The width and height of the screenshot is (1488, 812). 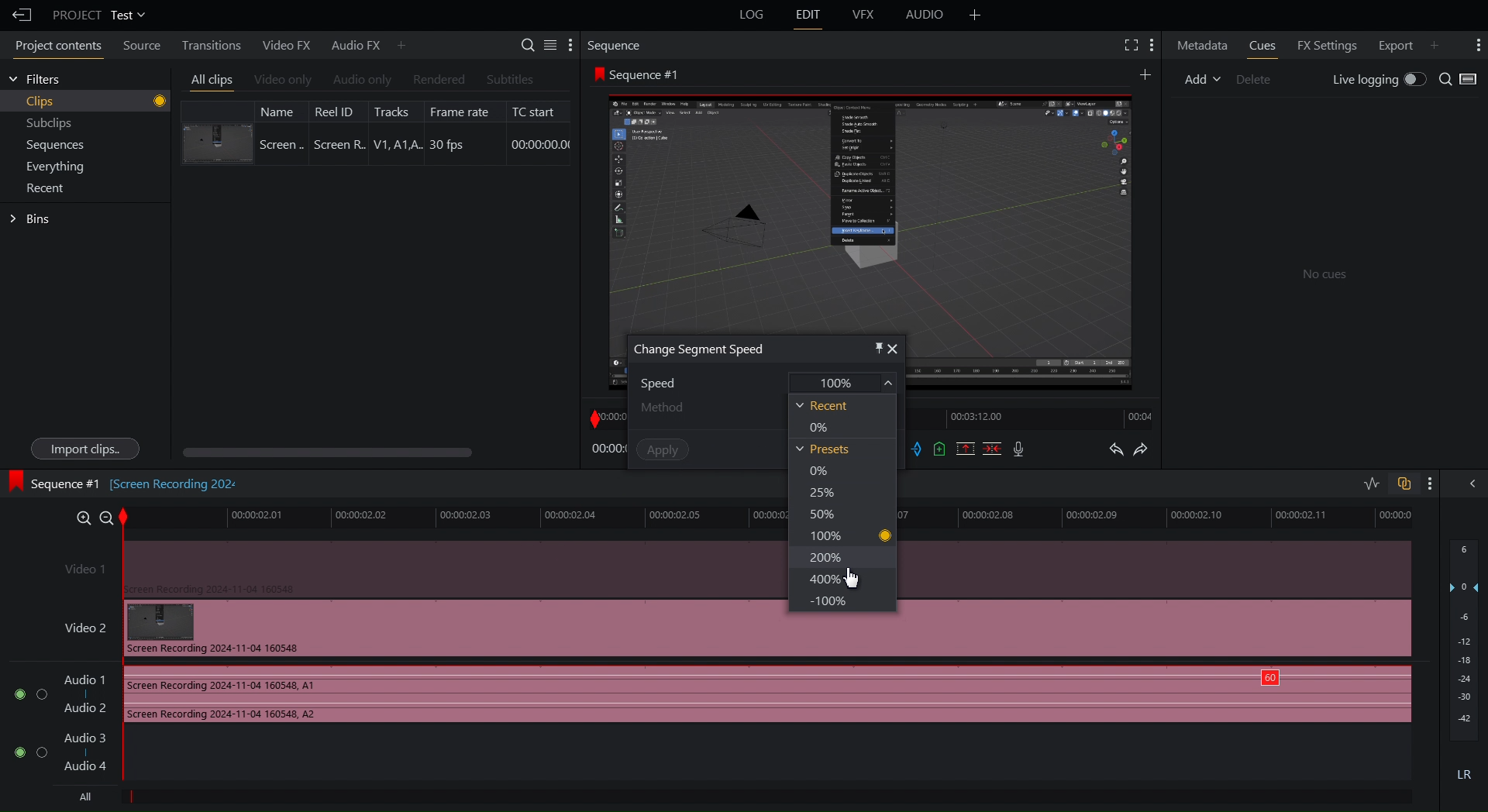 I want to click on Undo, so click(x=1115, y=451).